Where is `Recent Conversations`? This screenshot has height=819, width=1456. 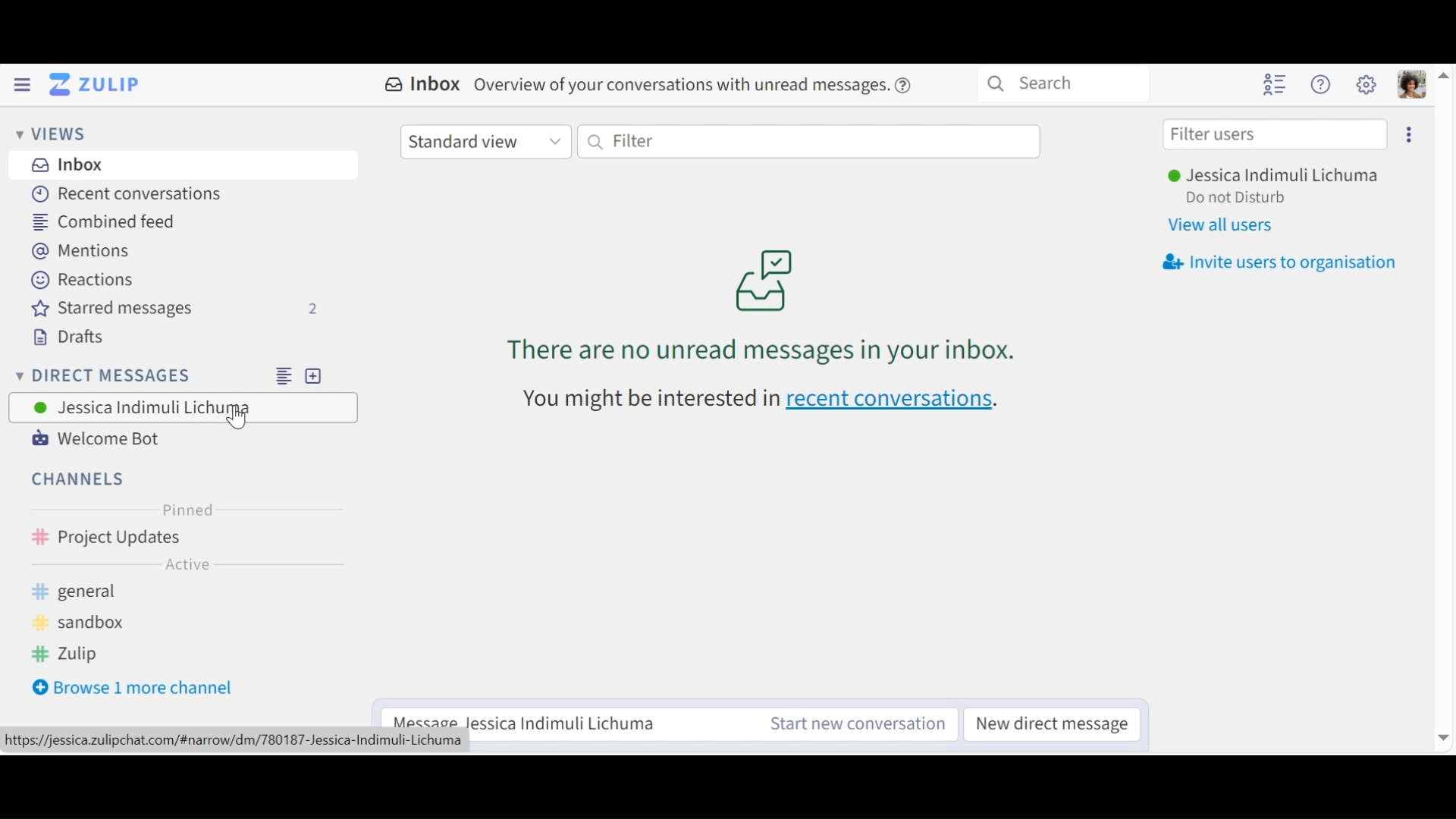
Recent Conversations is located at coordinates (128, 193).